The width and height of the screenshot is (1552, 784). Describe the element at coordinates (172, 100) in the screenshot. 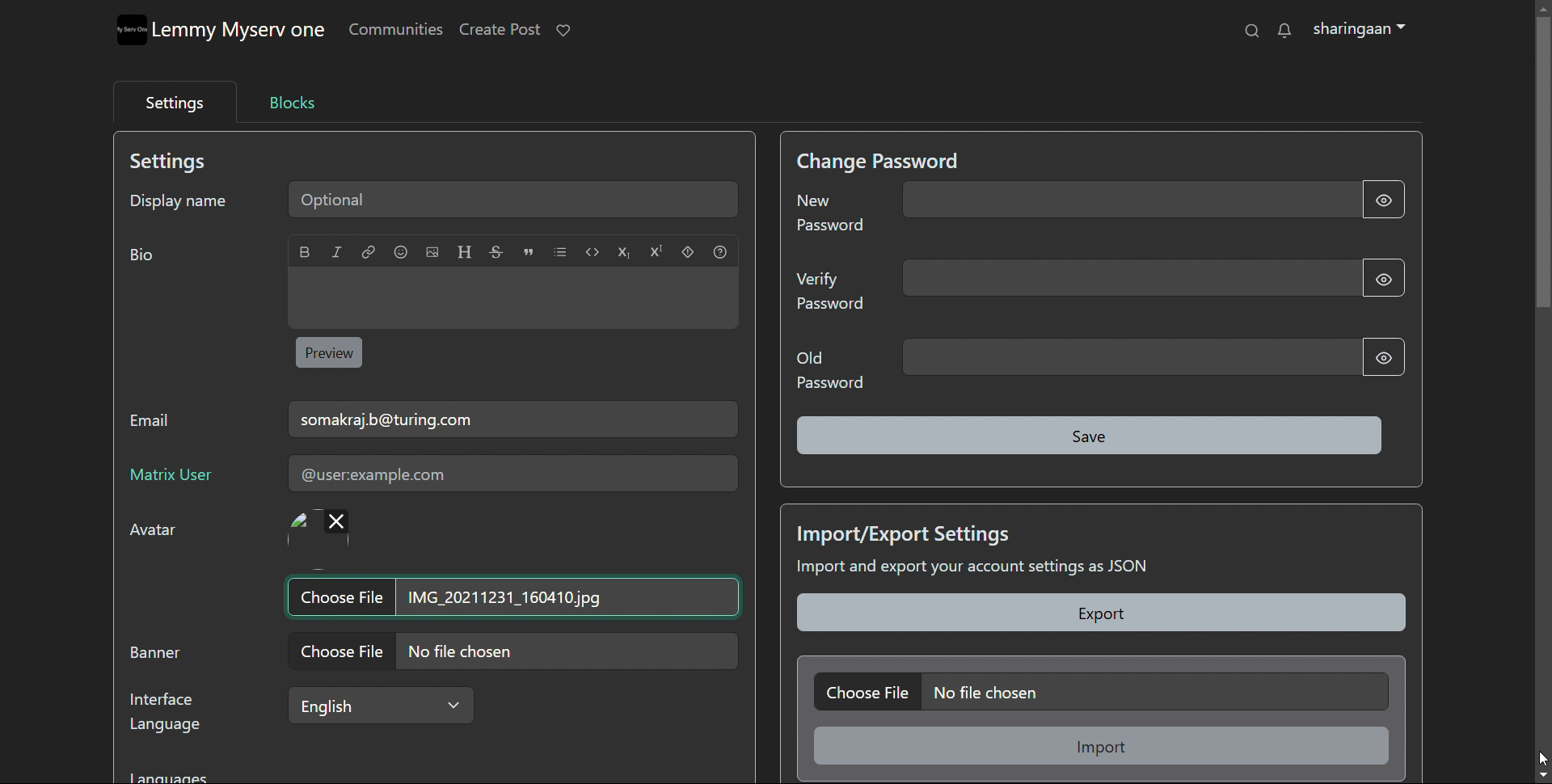

I see `settings` at that location.